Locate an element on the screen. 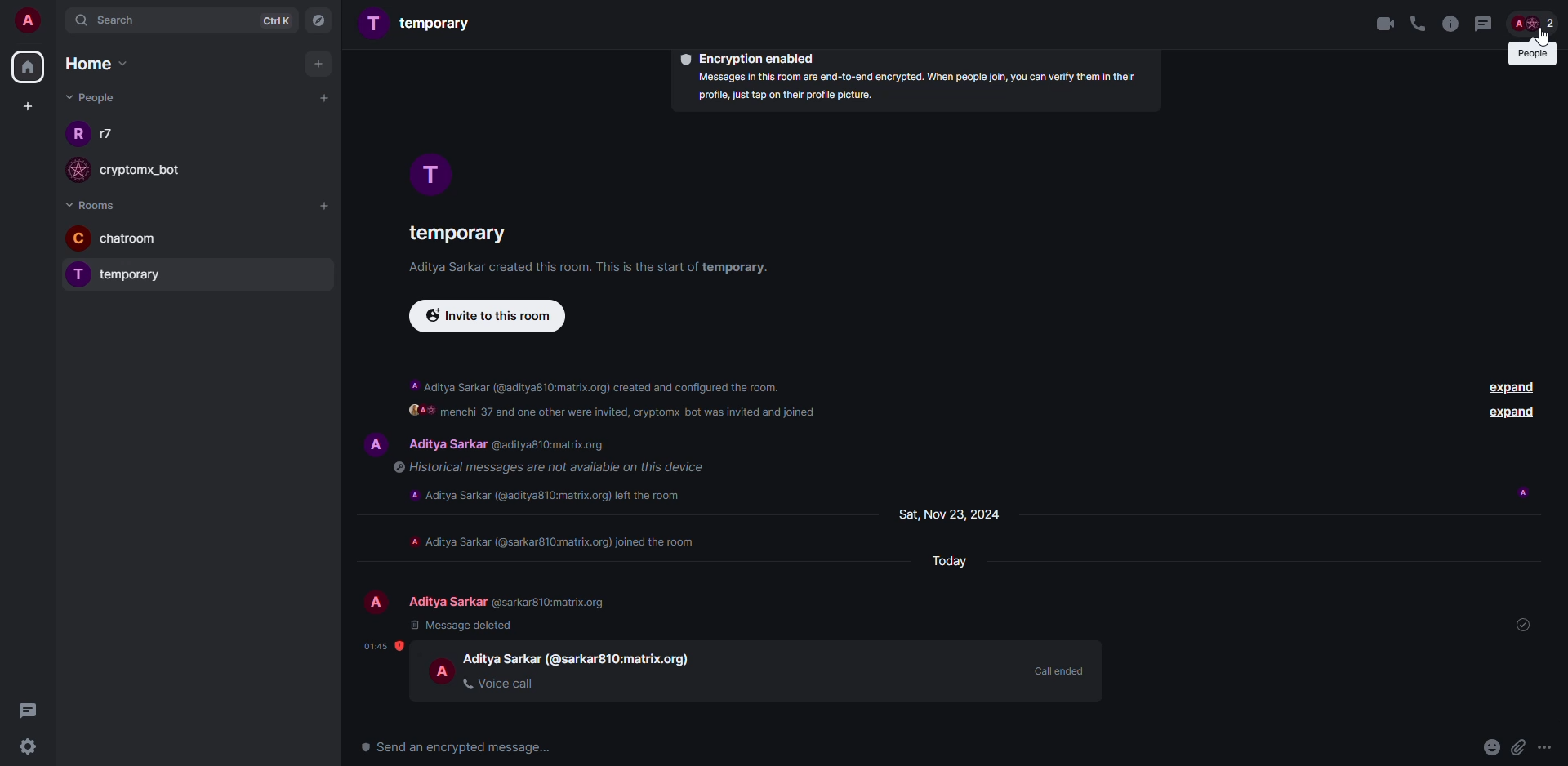 The width and height of the screenshot is (1568, 766). info is located at coordinates (1451, 24).